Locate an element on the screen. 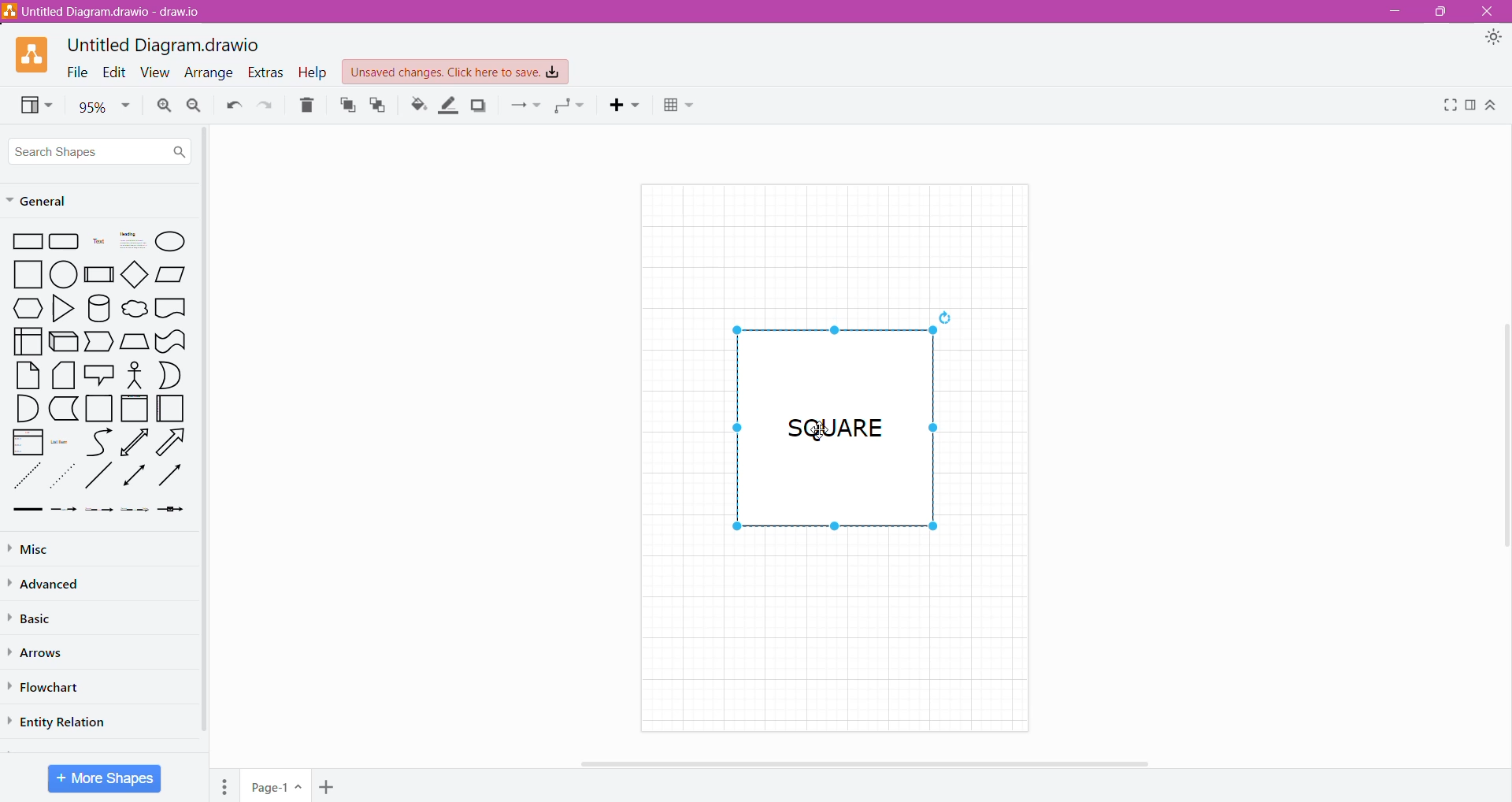 This screenshot has height=802, width=1512. Waypoints is located at coordinates (569, 108).